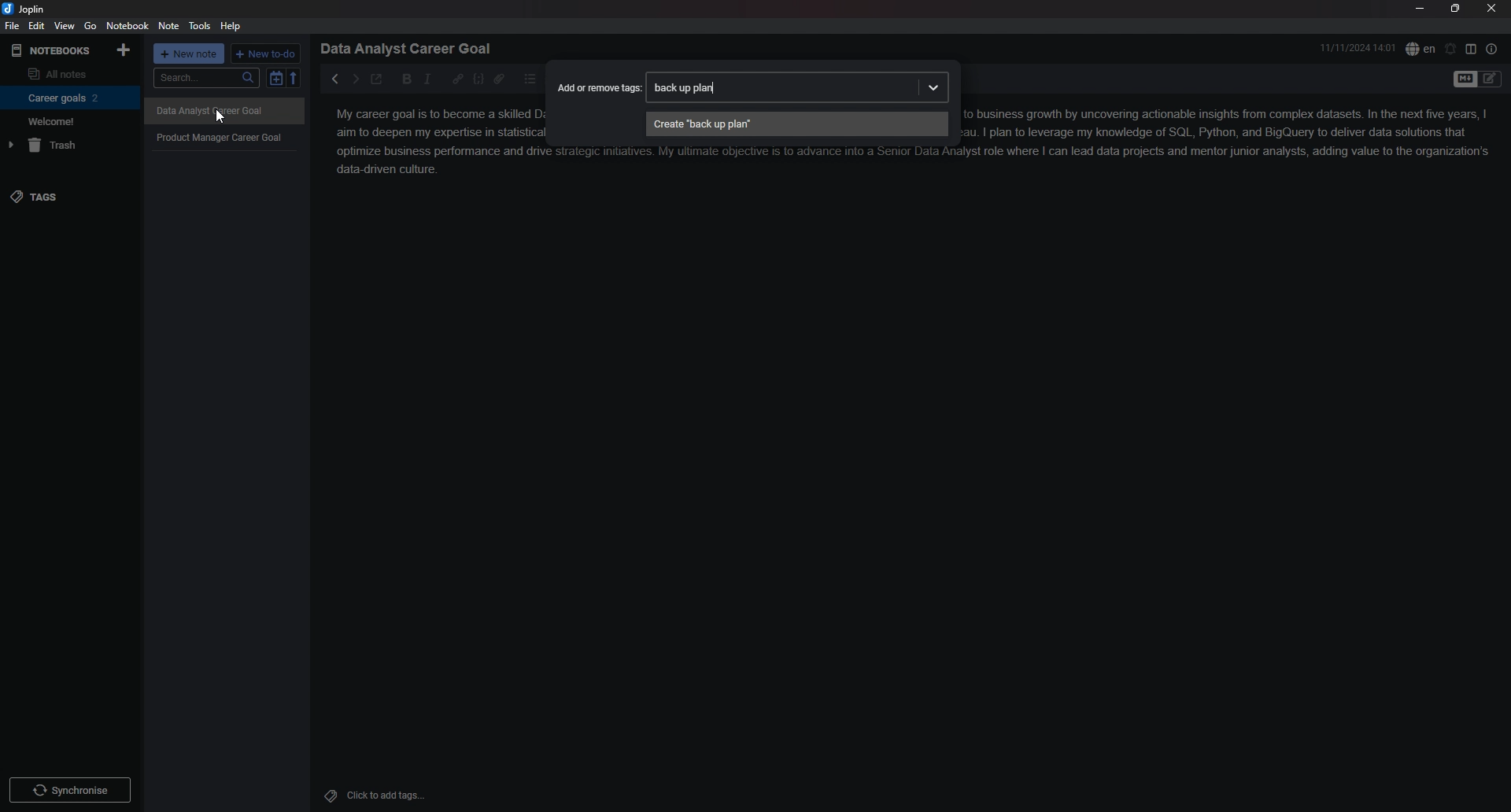  I want to click on bold, so click(408, 79).